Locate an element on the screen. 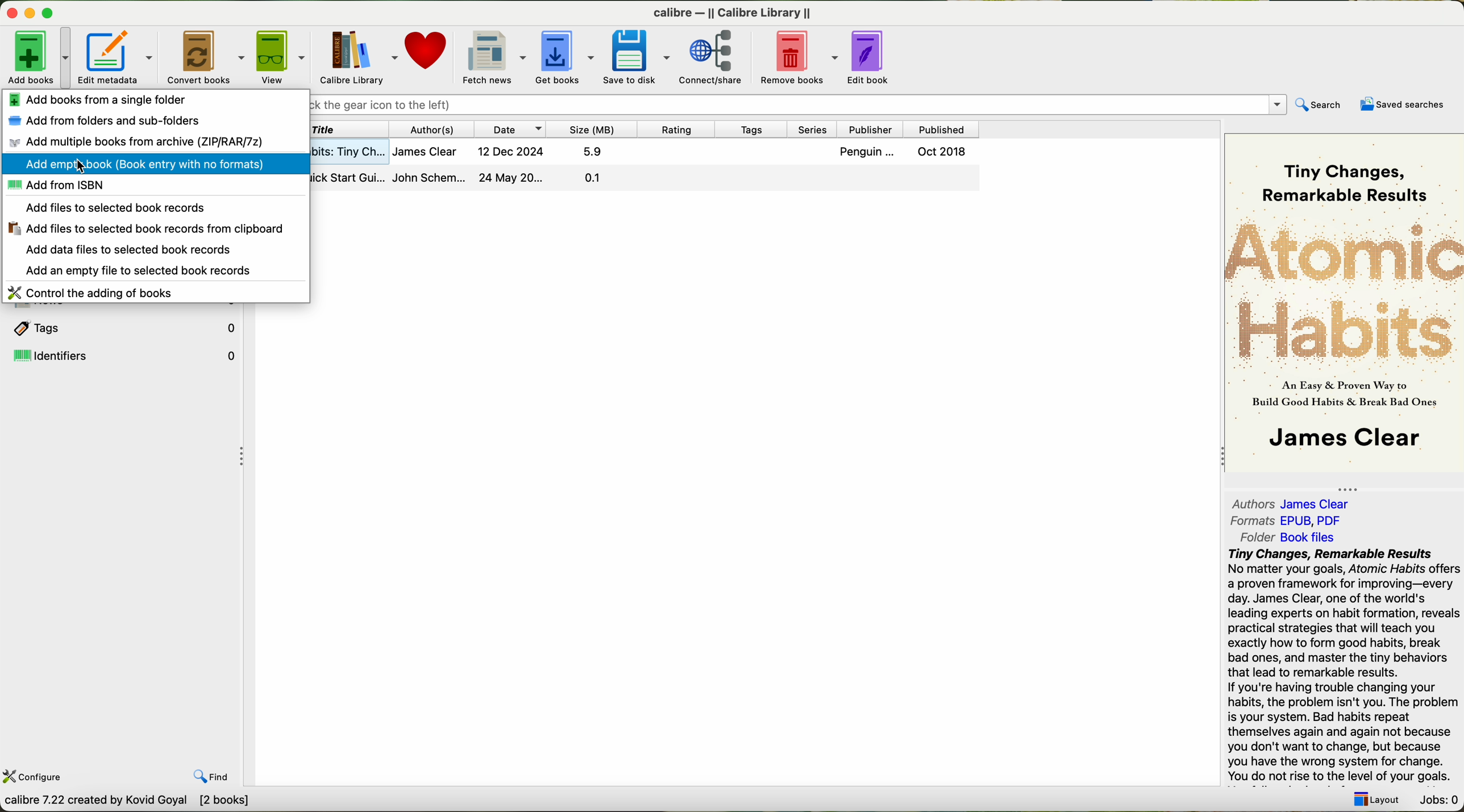 Image resolution: width=1464 pixels, height=812 pixels. rating is located at coordinates (673, 130).